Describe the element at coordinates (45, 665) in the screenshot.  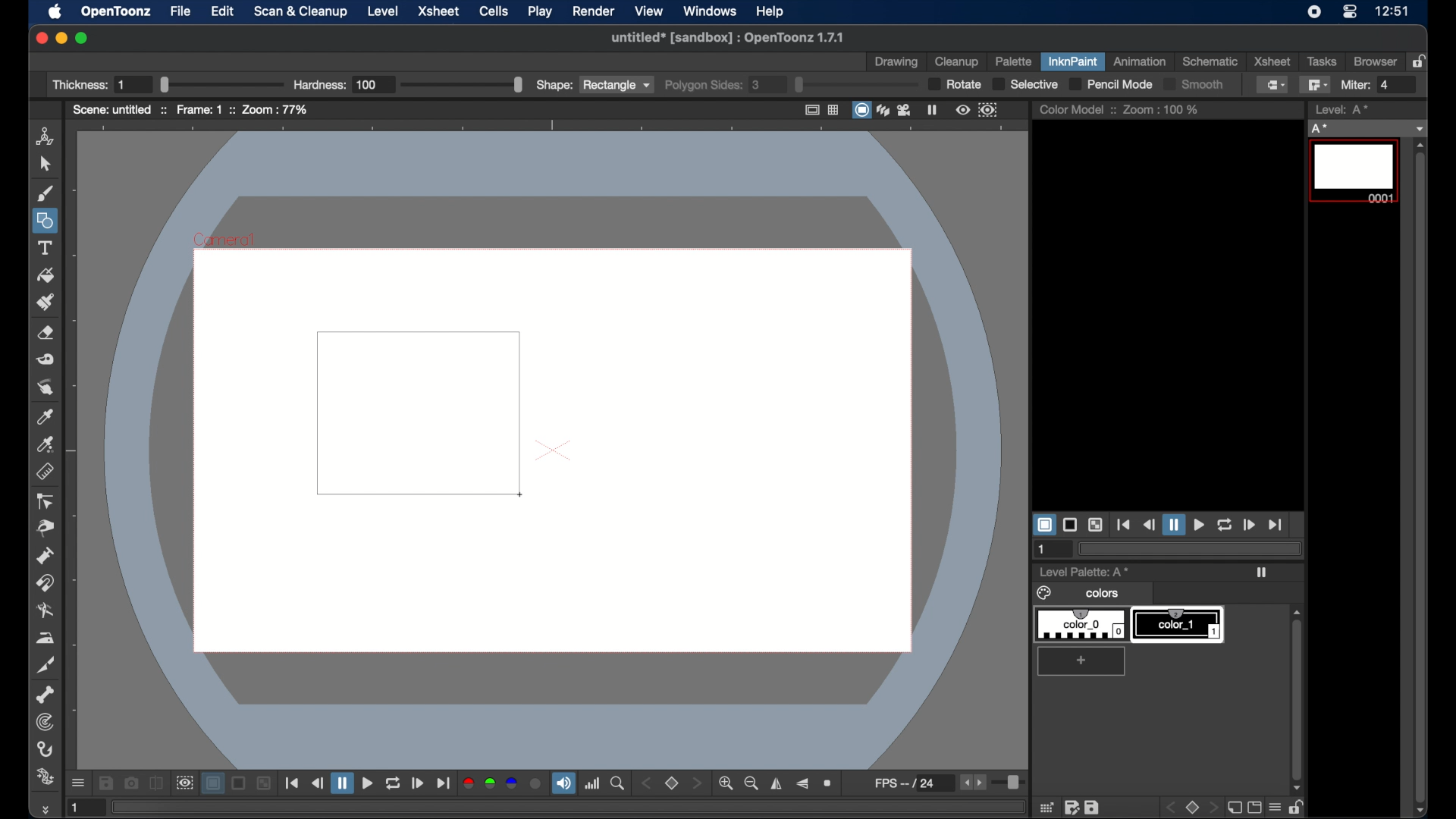
I see `cutter tool` at that location.